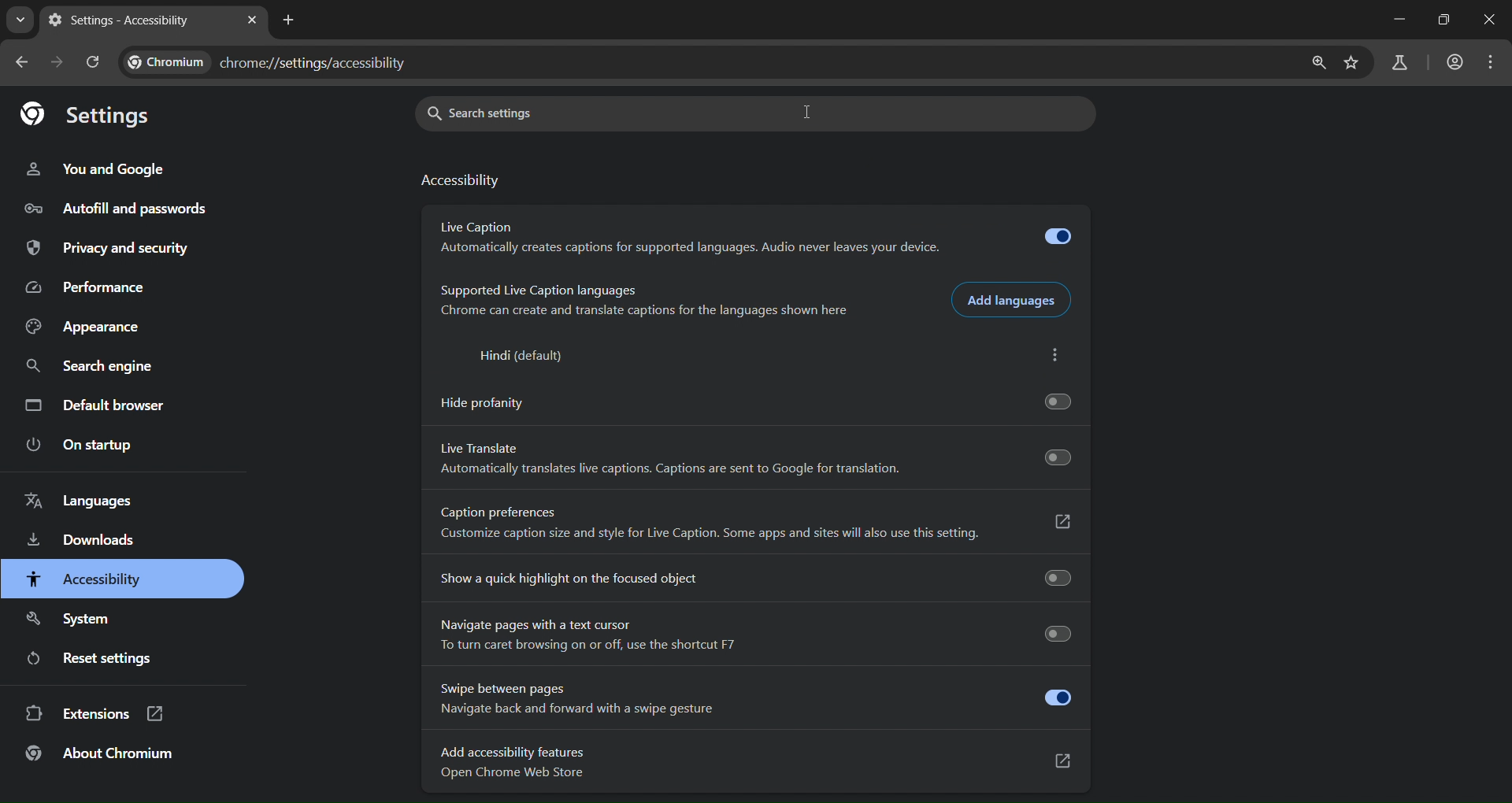 The height and width of the screenshot is (803, 1512). What do you see at coordinates (287, 20) in the screenshot?
I see `new tab` at bounding box center [287, 20].